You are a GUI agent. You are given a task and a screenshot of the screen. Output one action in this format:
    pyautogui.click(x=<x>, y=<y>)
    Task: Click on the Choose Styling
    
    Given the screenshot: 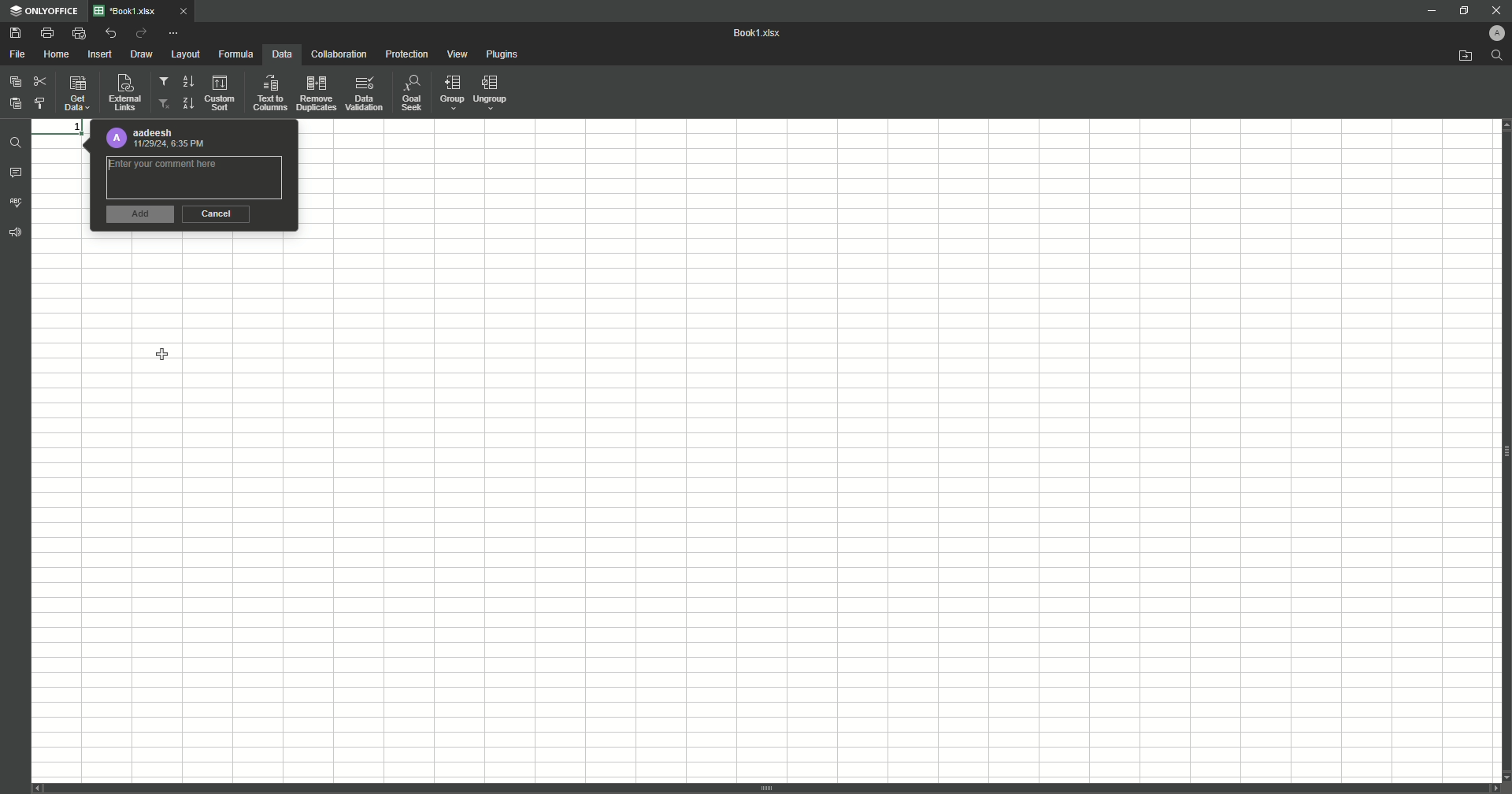 What is the action you would take?
    pyautogui.click(x=43, y=102)
    